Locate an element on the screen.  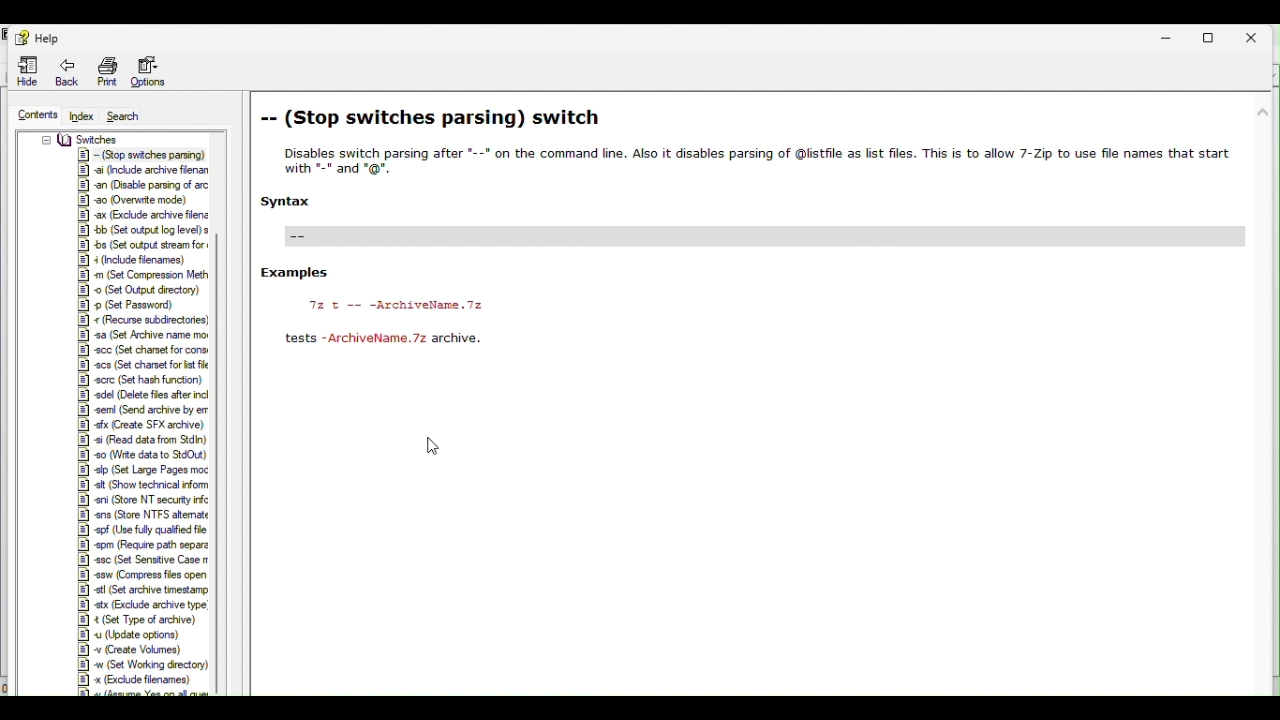
 is located at coordinates (144, 439).